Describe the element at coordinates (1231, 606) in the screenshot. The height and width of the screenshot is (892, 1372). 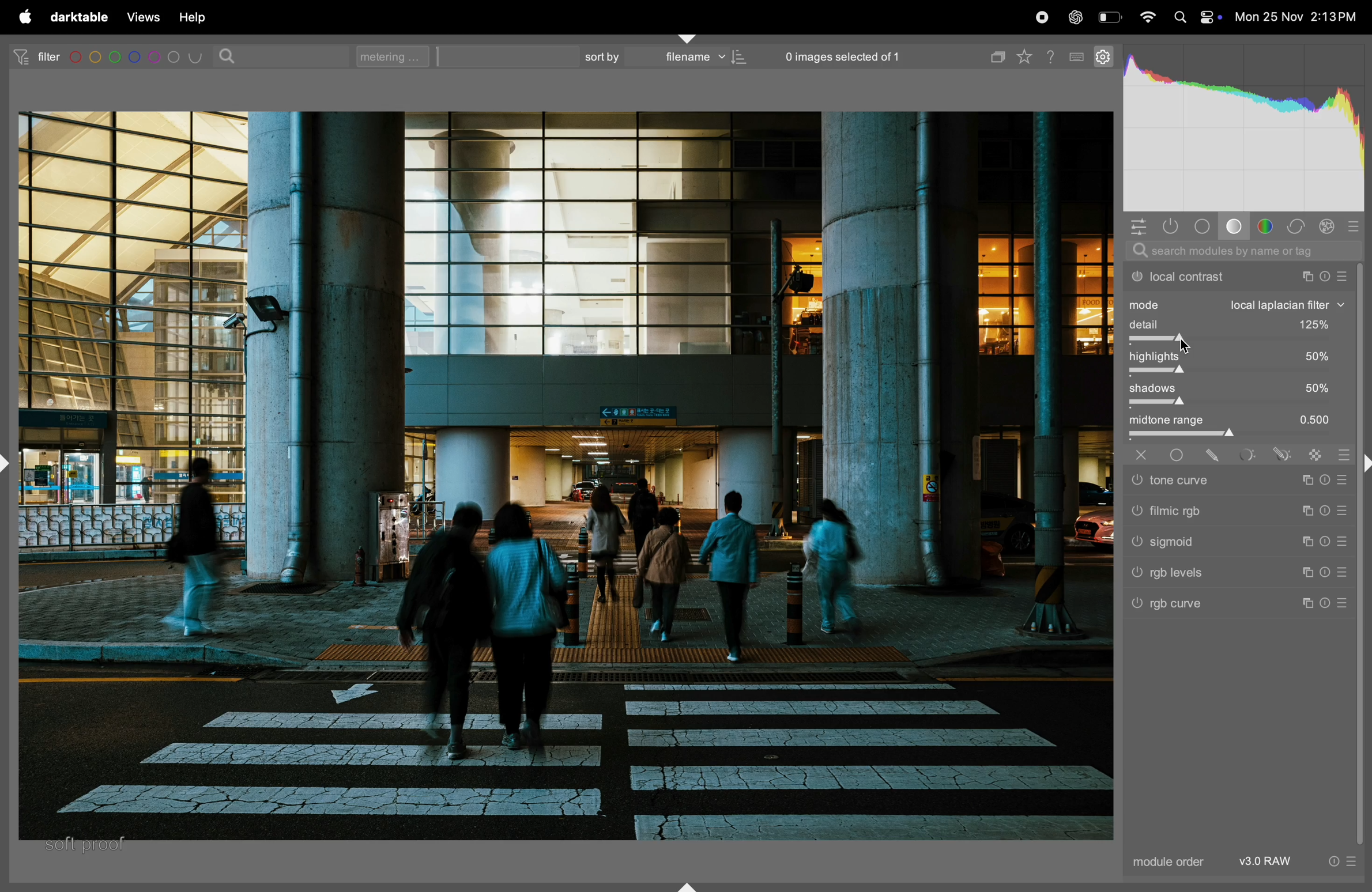
I see `rgb curve` at that location.